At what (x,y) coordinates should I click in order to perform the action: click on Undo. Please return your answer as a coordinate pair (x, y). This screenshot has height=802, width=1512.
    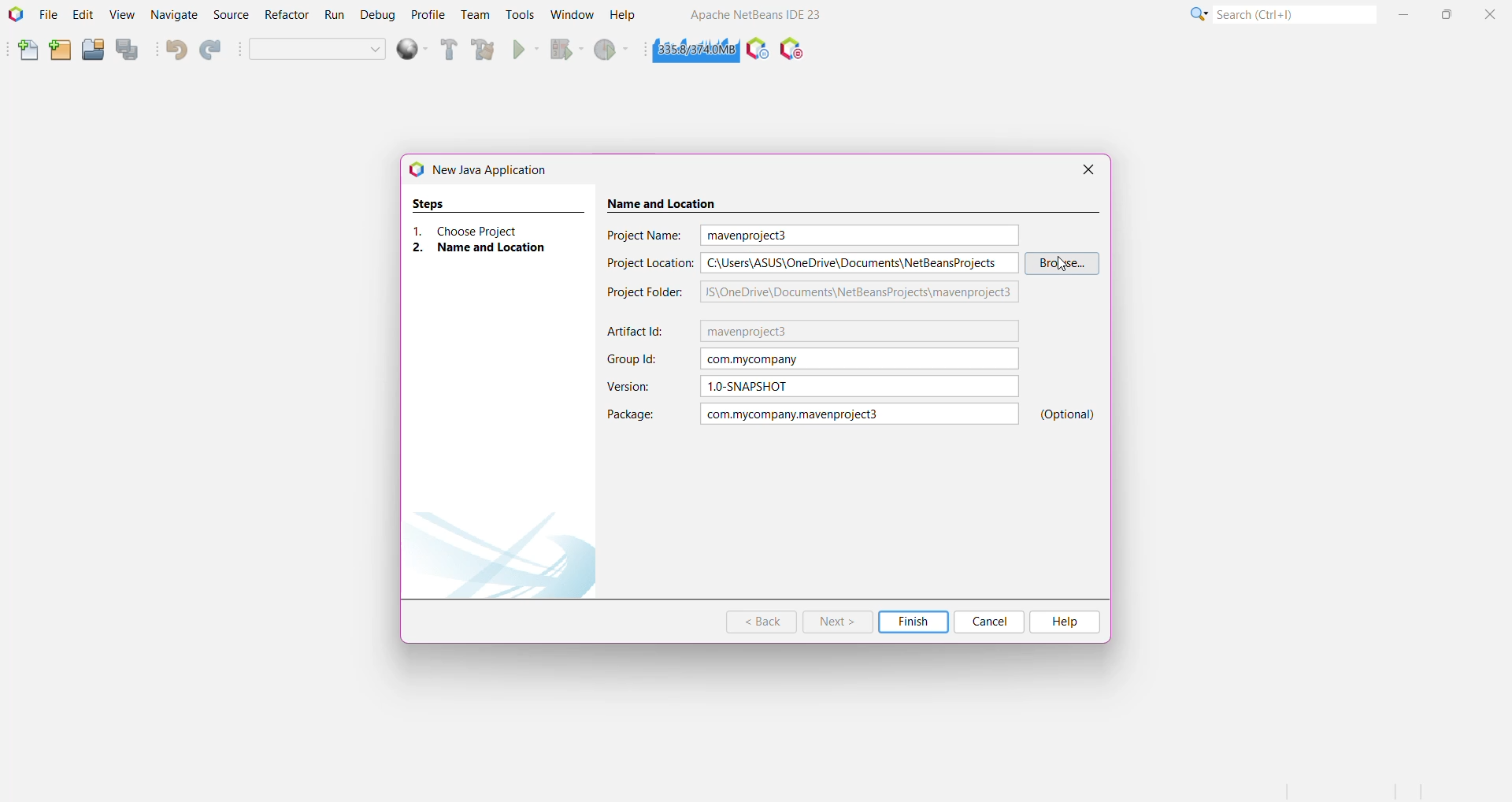
    Looking at the image, I should click on (176, 51).